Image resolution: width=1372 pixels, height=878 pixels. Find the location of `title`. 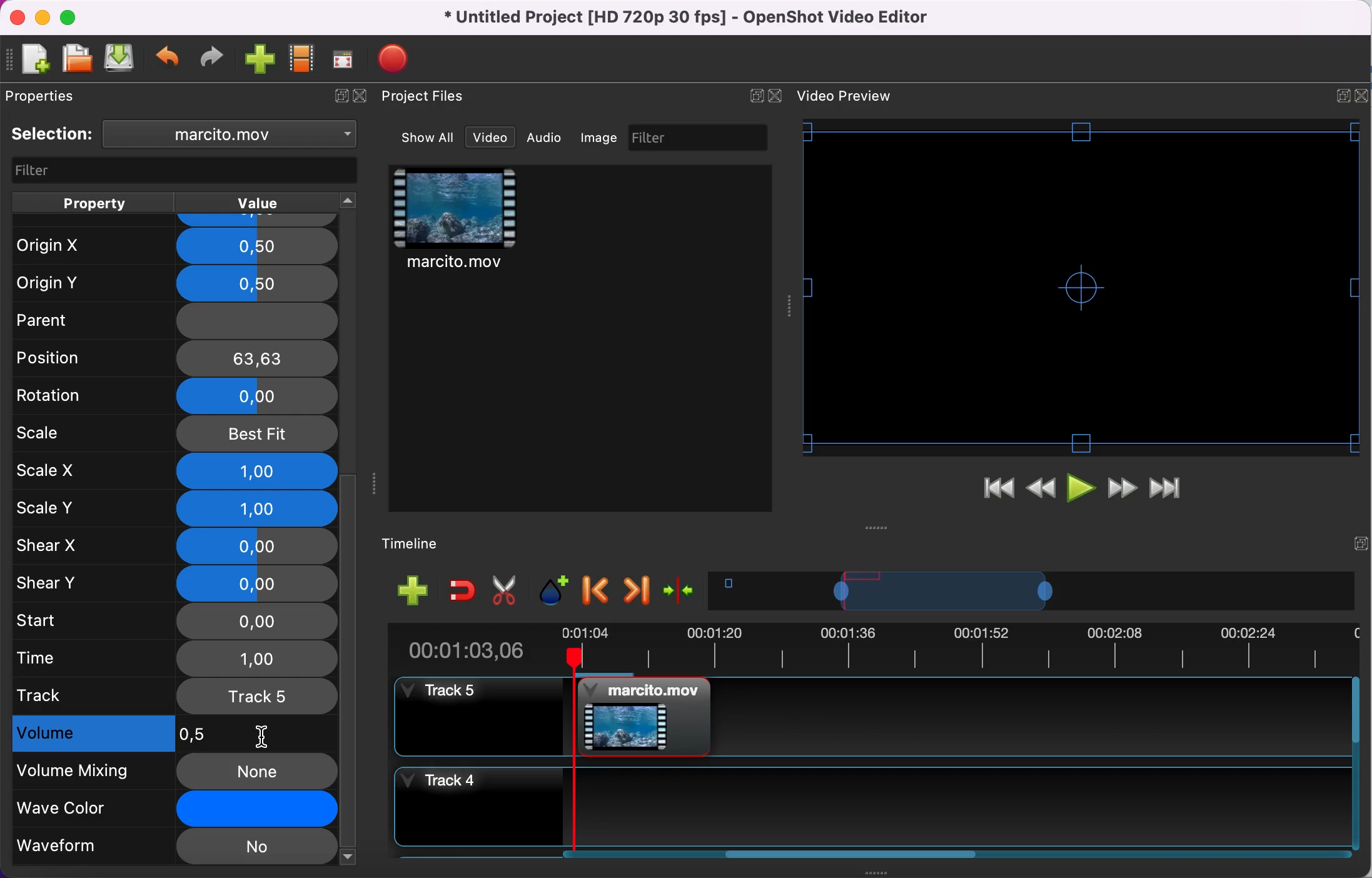

title is located at coordinates (690, 18).